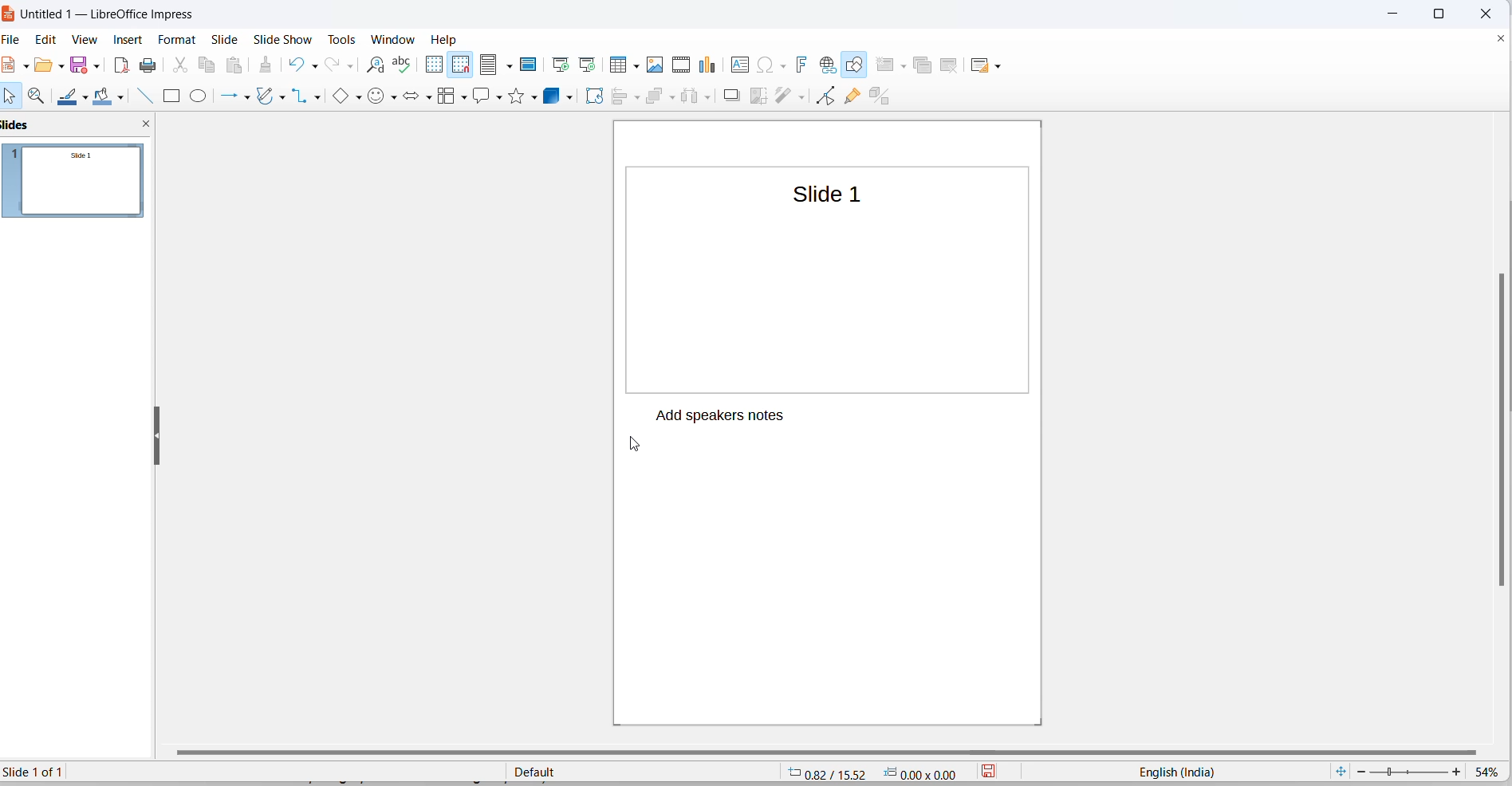 This screenshot has width=1512, height=786. What do you see at coordinates (286, 96) in the screenshot?
I see `curves and polygons options` at bounding box center [286, 96].